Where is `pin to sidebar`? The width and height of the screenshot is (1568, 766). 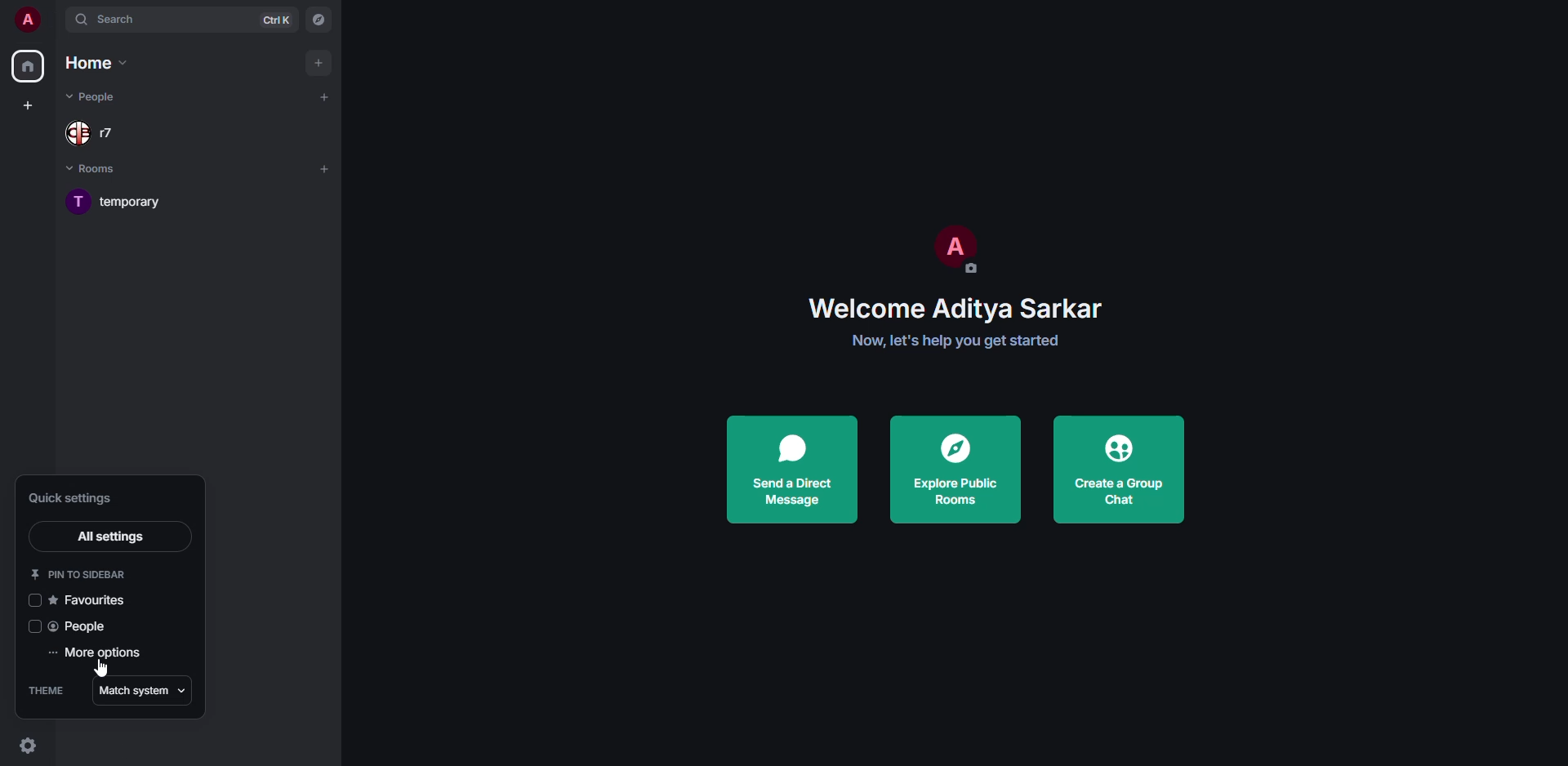 pin to sidebar is located at coordinates (81, 572).